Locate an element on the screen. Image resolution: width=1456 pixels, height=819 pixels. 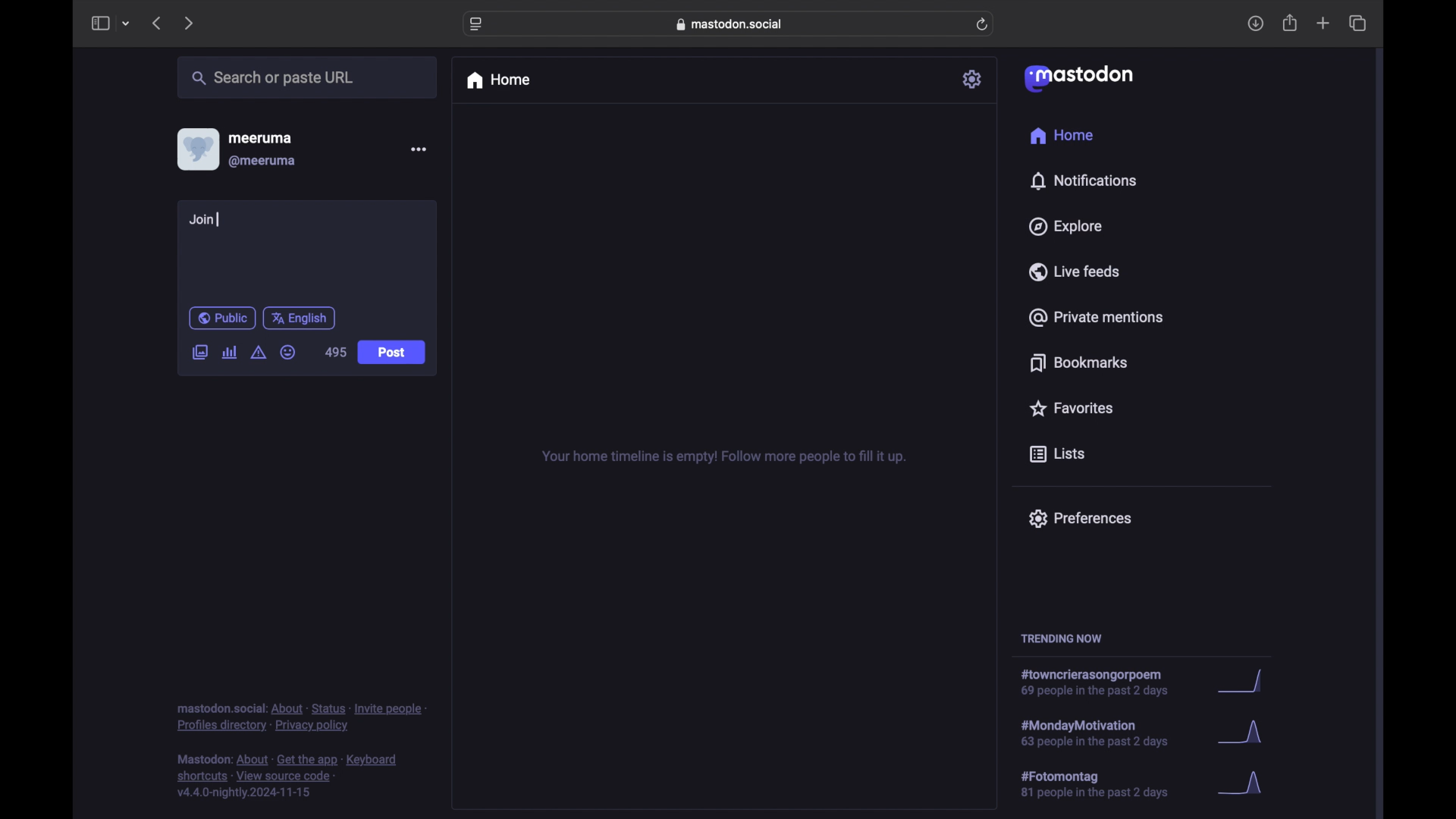
bookmarks is located at coordinates (1078, 362).